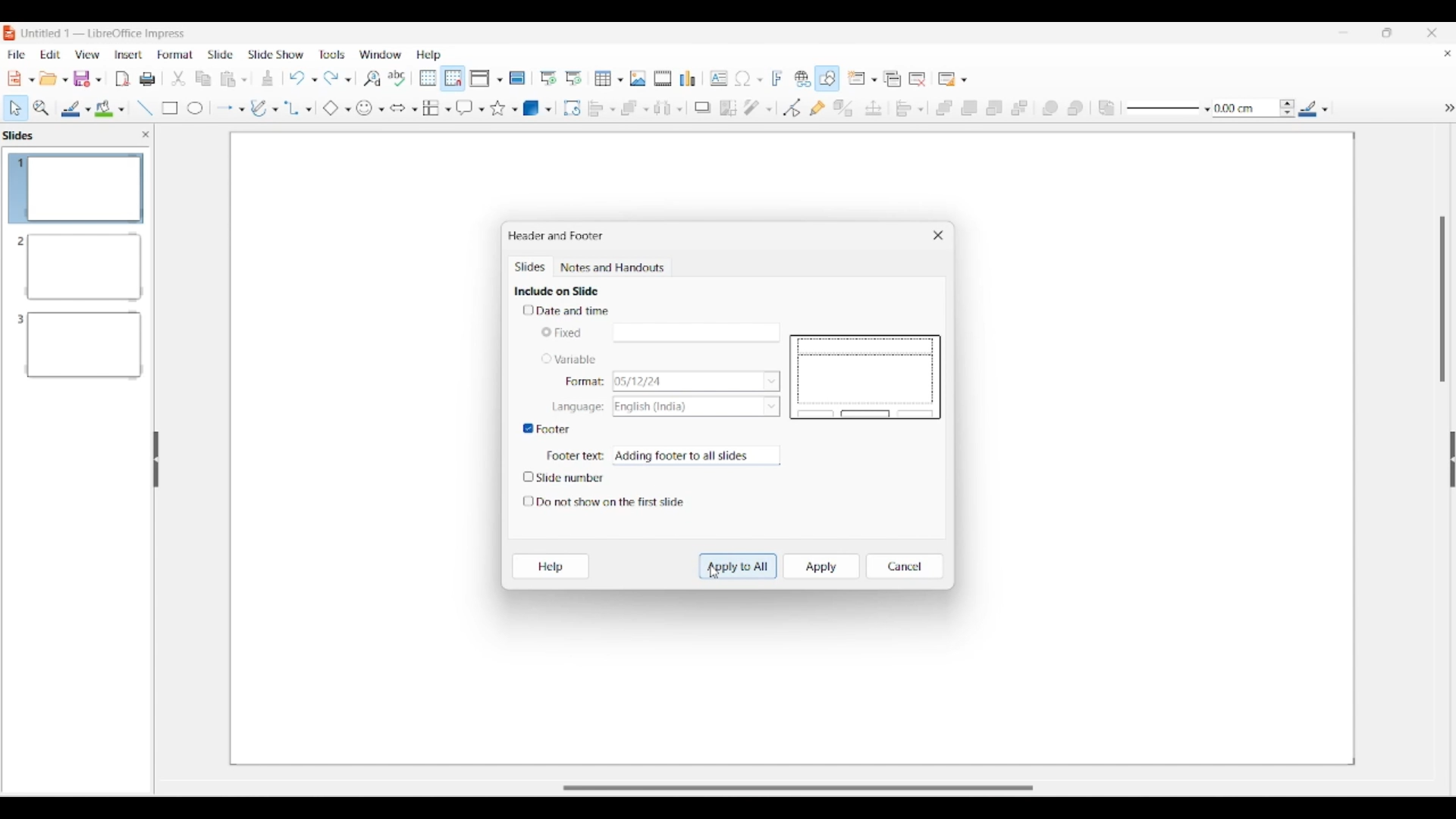 The width and height of the screenshot is (1456, 819). I want to click on Circle, so click(194, 108).